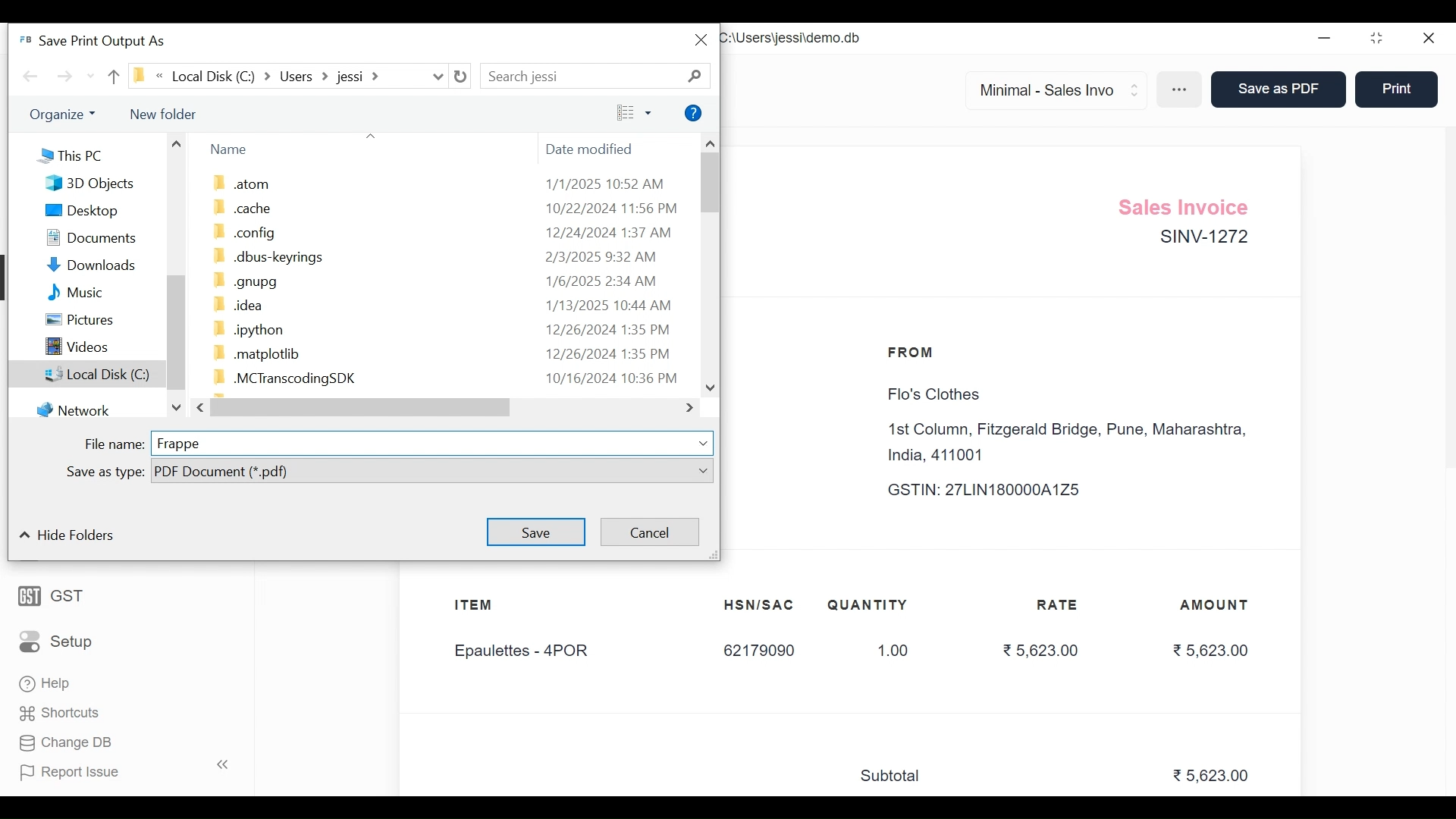  Describe the element at coordinates (68, 114) in the screenshot. I see `` at that location.